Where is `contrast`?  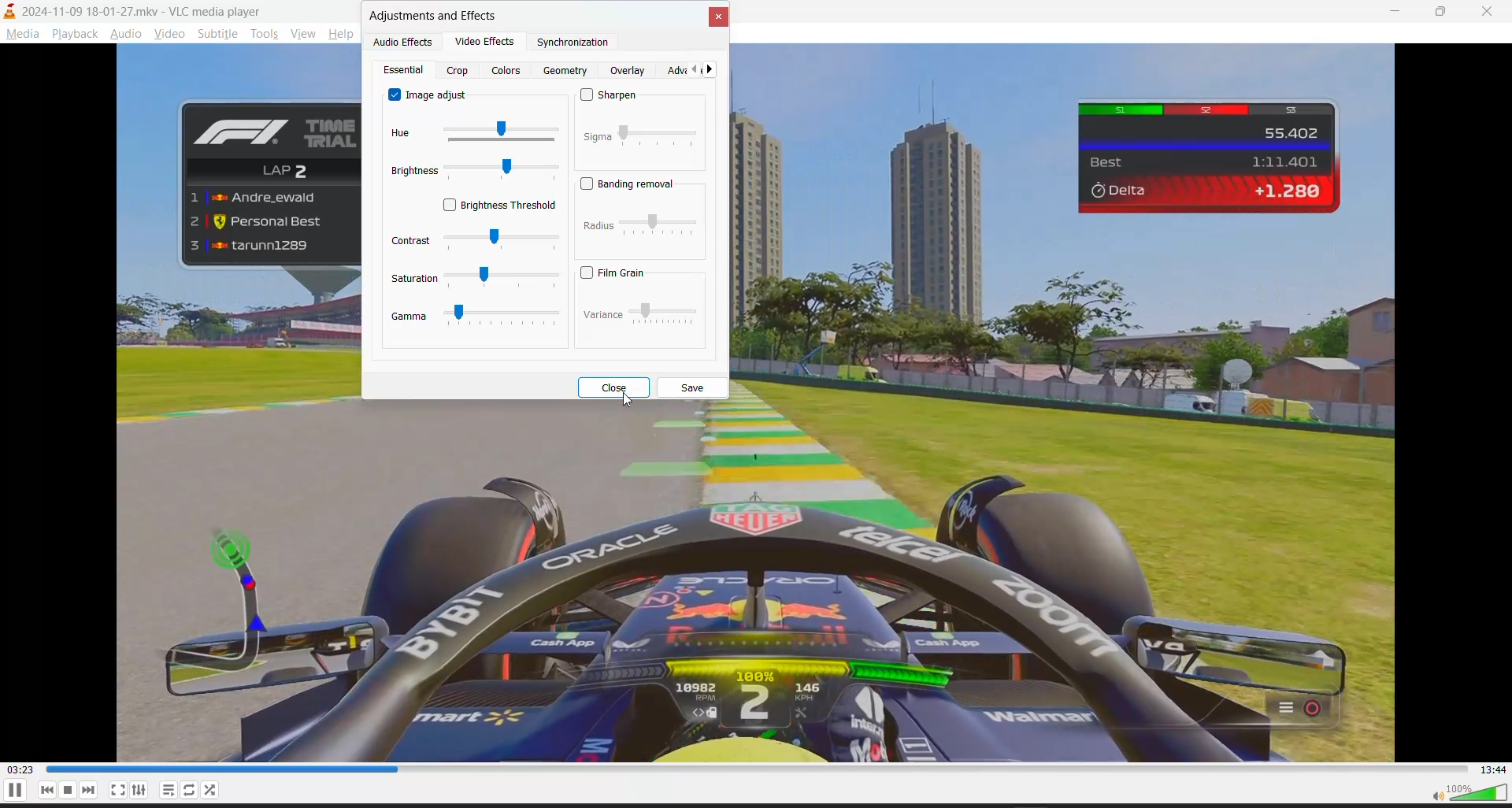
contrast is located at coordinates (411, 240).